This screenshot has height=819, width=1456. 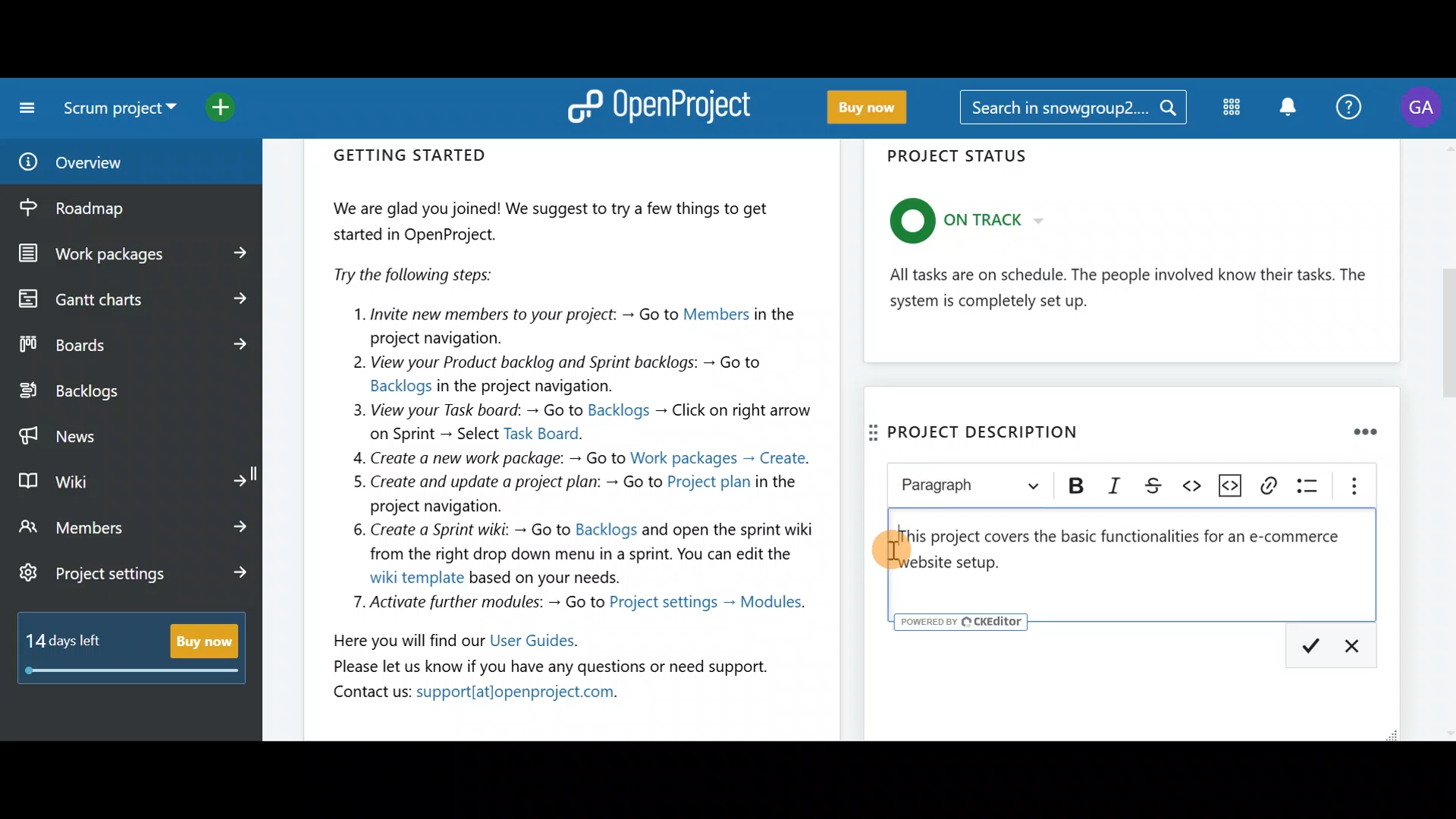 What do you see at coordinates (1446, 439) in the screenshot?
I see `scroll bar` at bounding box center [1446, 439].